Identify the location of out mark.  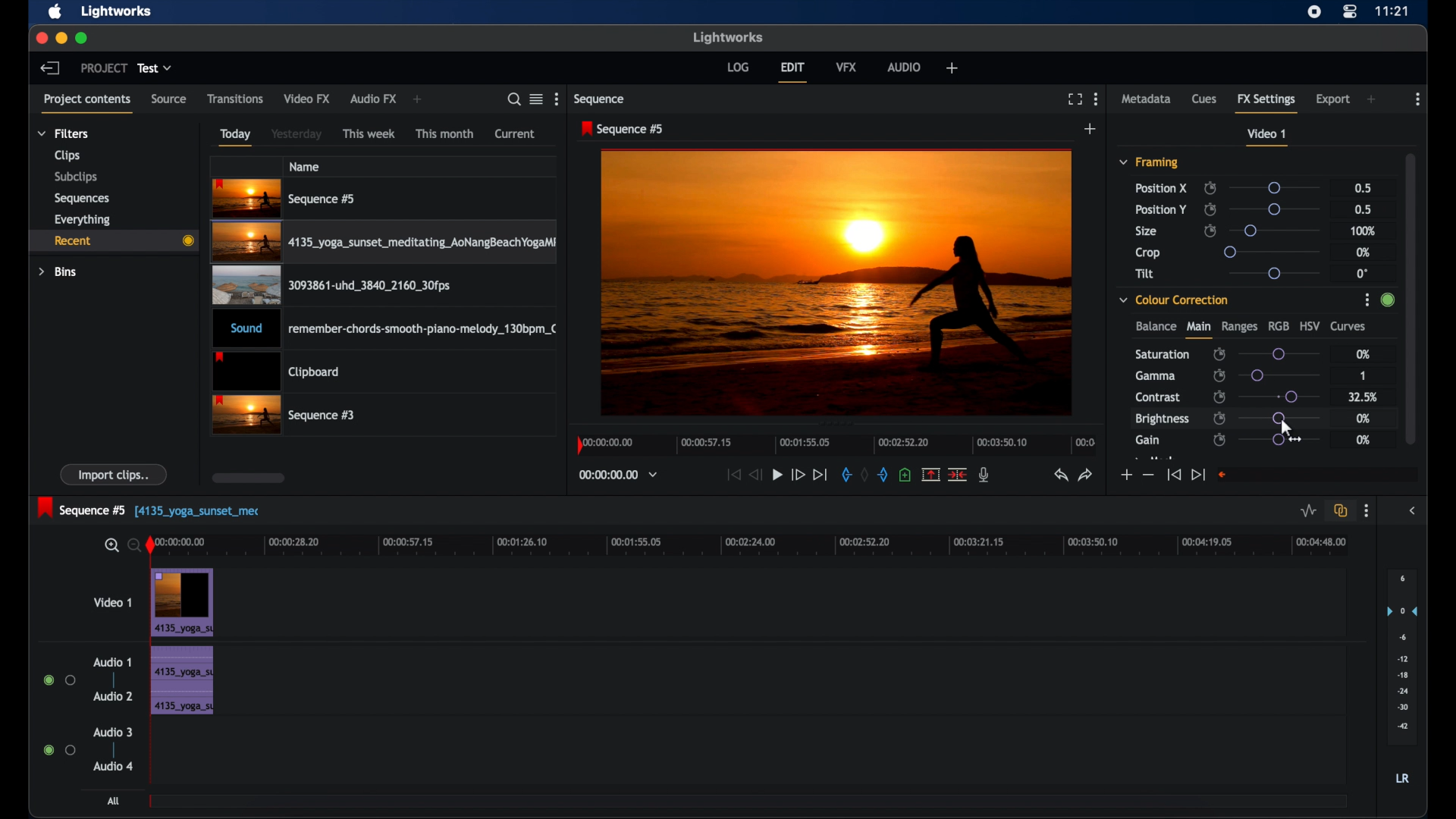
(884, 475).